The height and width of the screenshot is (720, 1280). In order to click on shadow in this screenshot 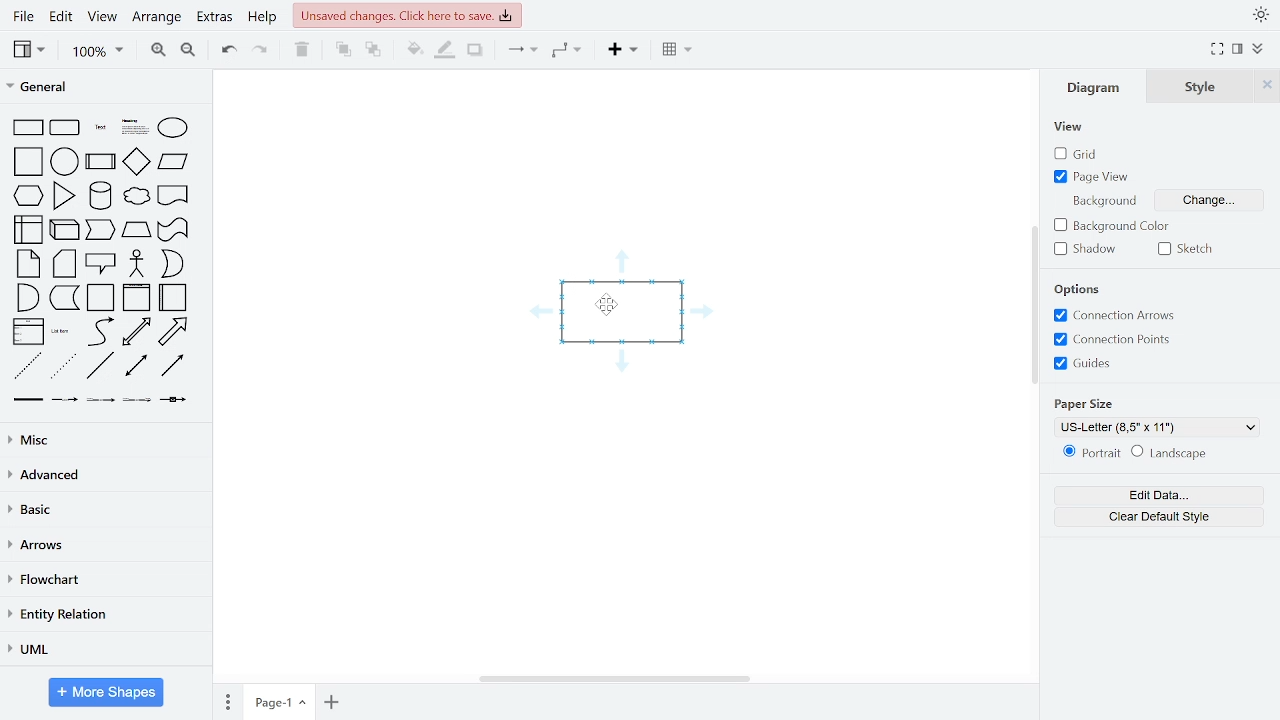, I will do `click(476, 51)`.